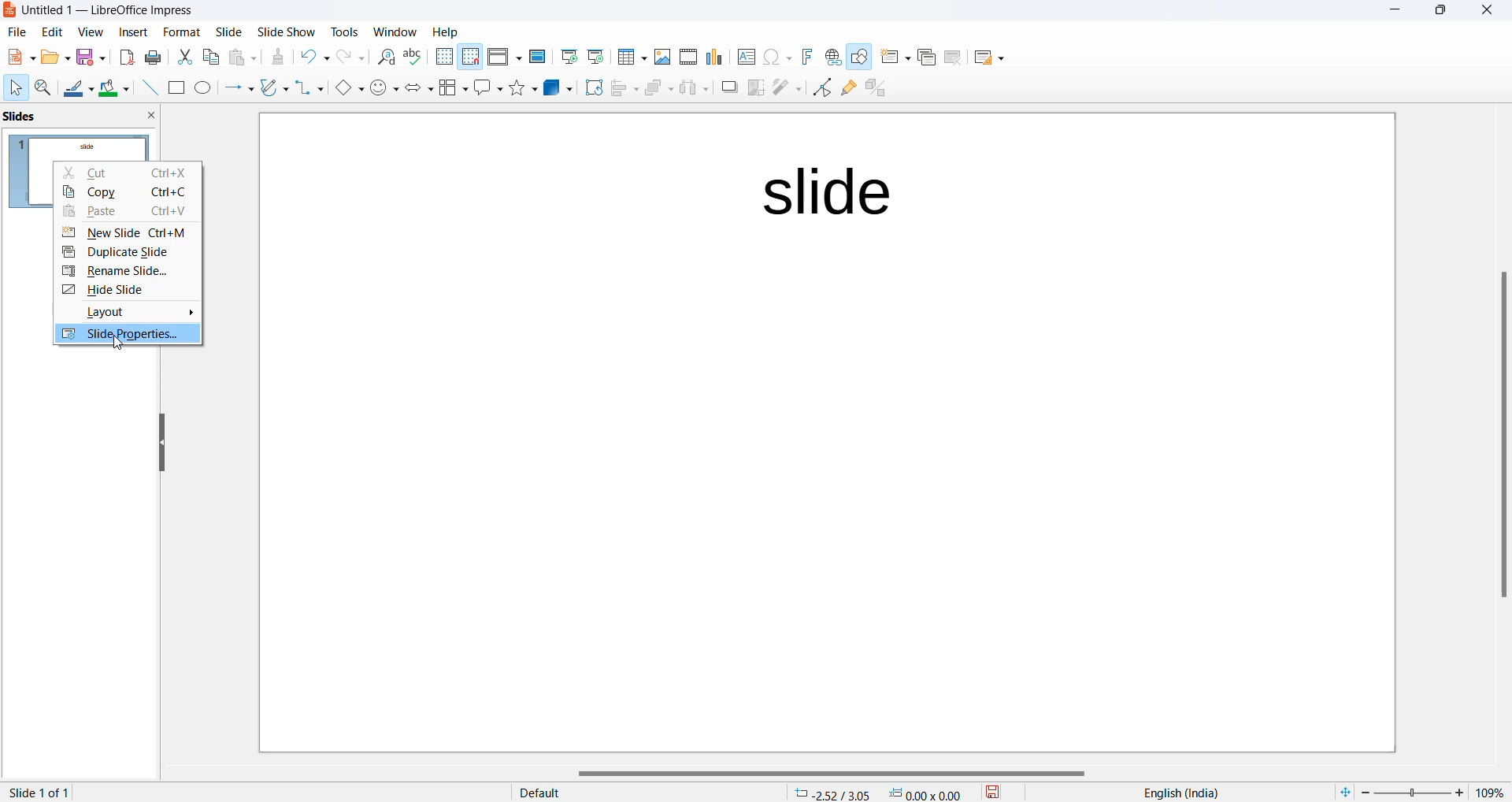 This screenshot has width=1512, height=802. What do you see at coordinates (490, 89) in the screenshot?
I see `callout shapes` at bounding box center [490, 89].